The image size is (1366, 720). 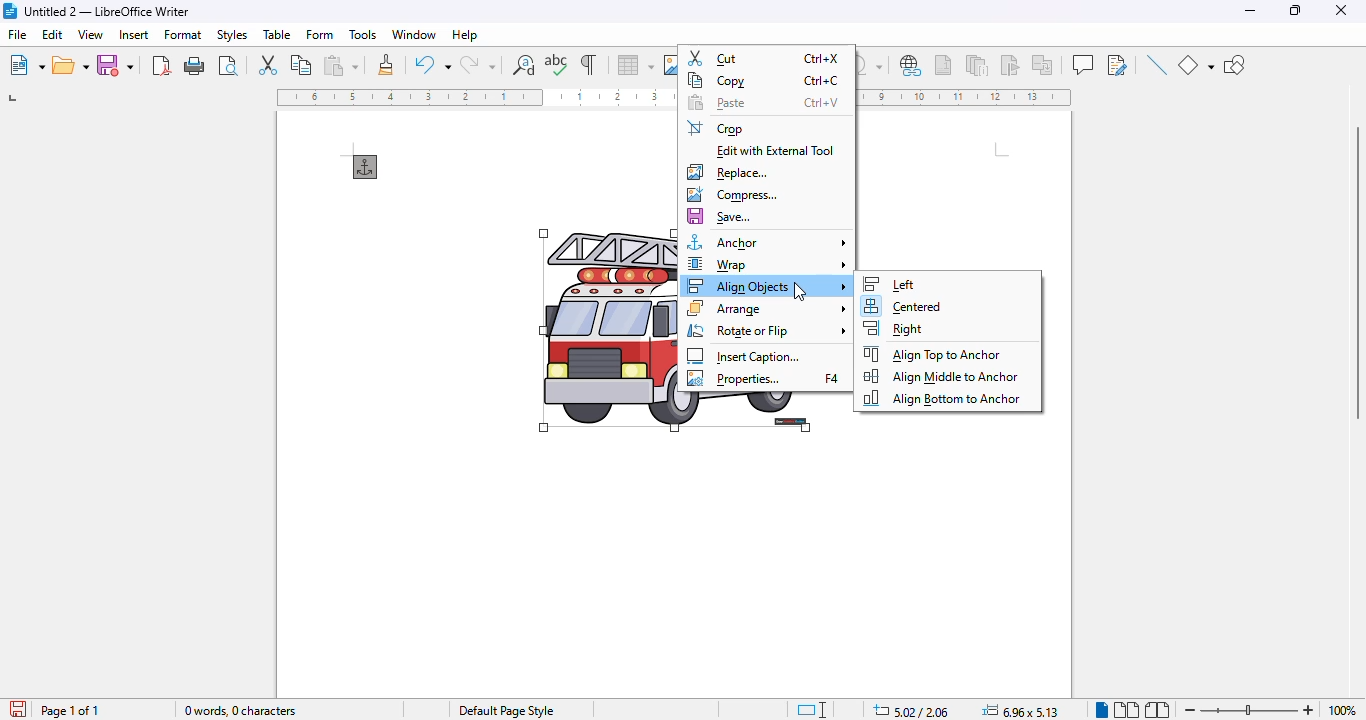 What do you see at coordinates (478, 65) in the screenshot?
I see `redo` at bounding box center [478, 65].